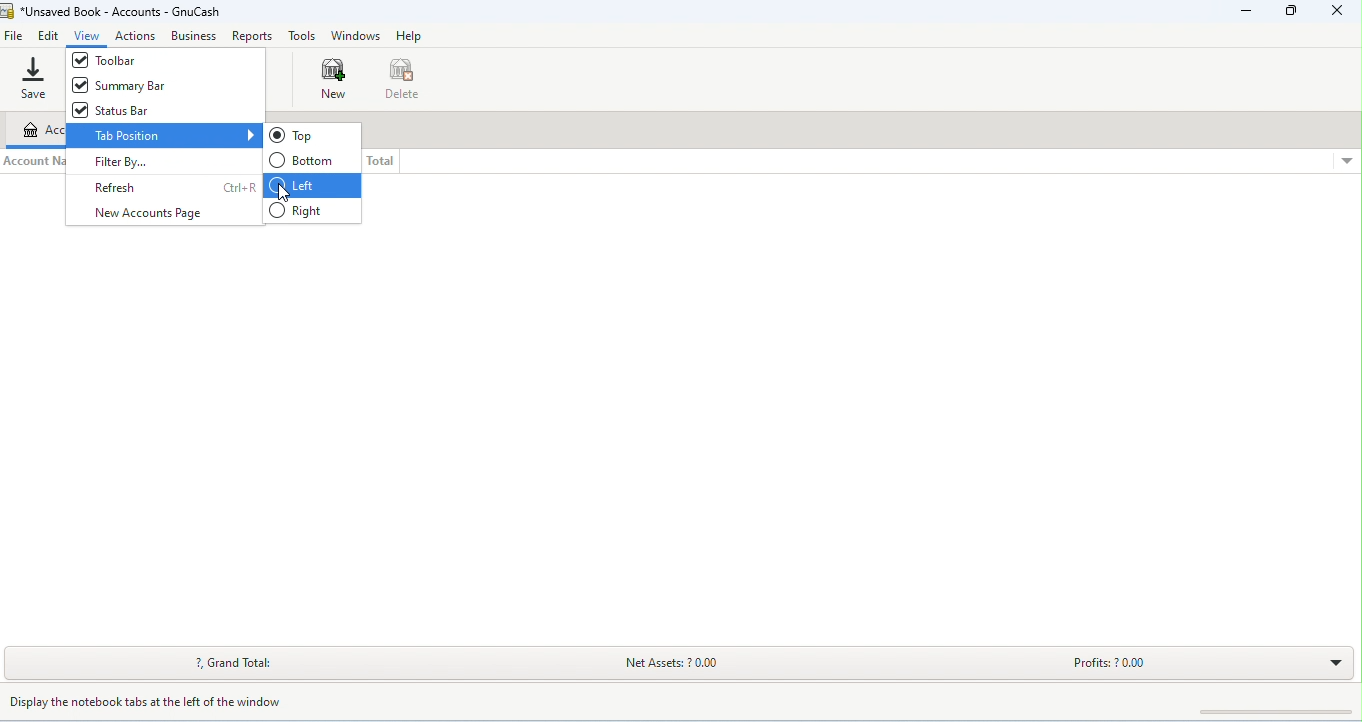 The image size is (1362, 722). What do you see at coordinates (312, 212) in the screenshot?
I see `right` at bounding box center [312, 212].